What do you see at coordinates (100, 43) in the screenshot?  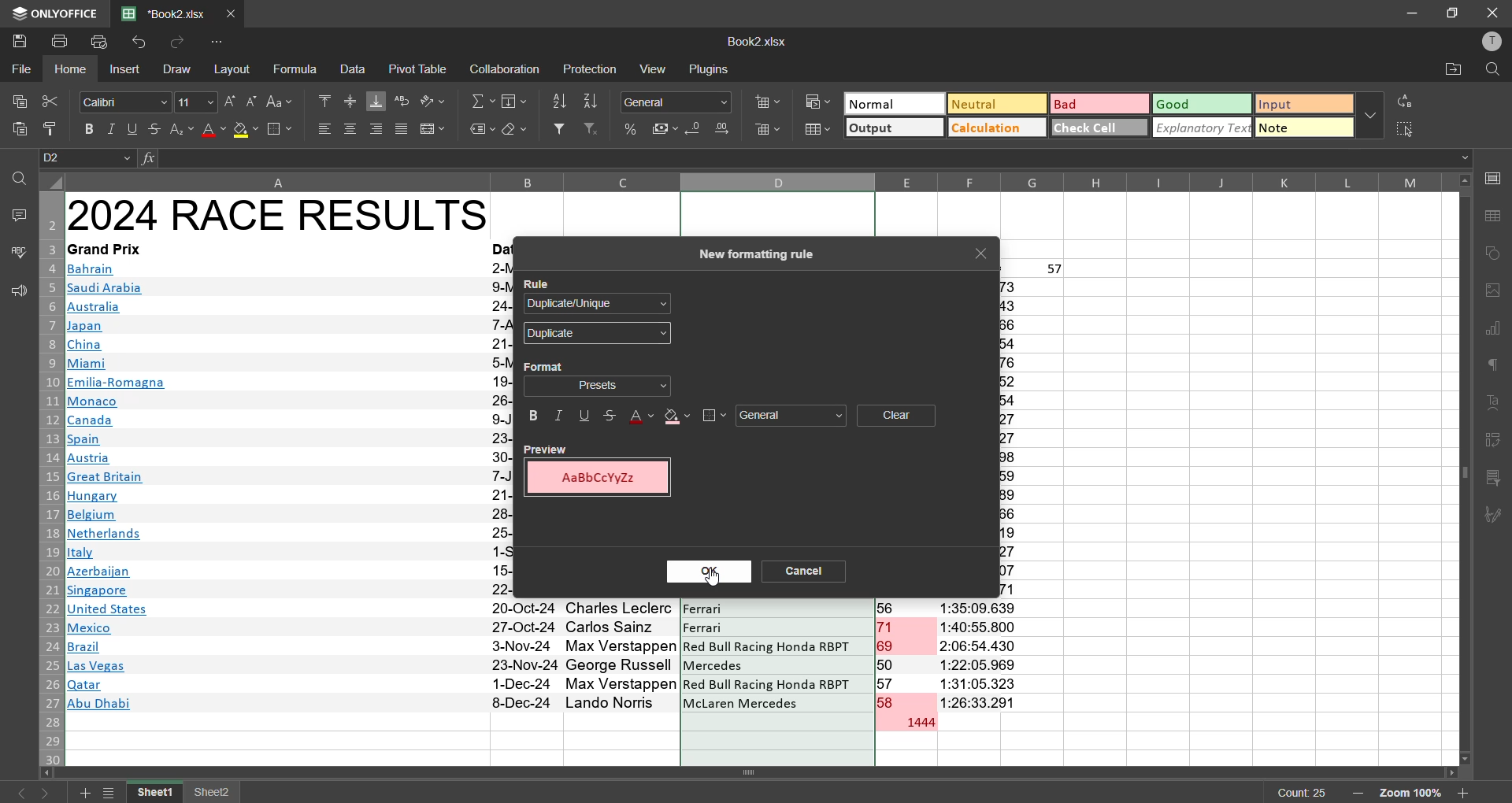 I see `quick print` at bounding box center [100, 43].